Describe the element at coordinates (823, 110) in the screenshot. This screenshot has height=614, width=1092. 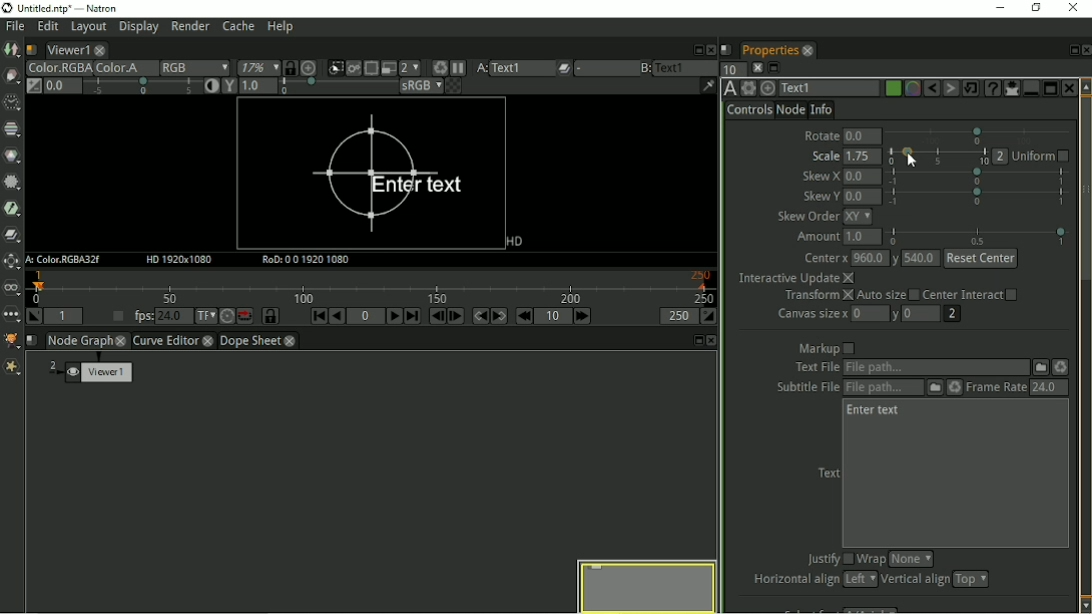
I see `Info` at that location.